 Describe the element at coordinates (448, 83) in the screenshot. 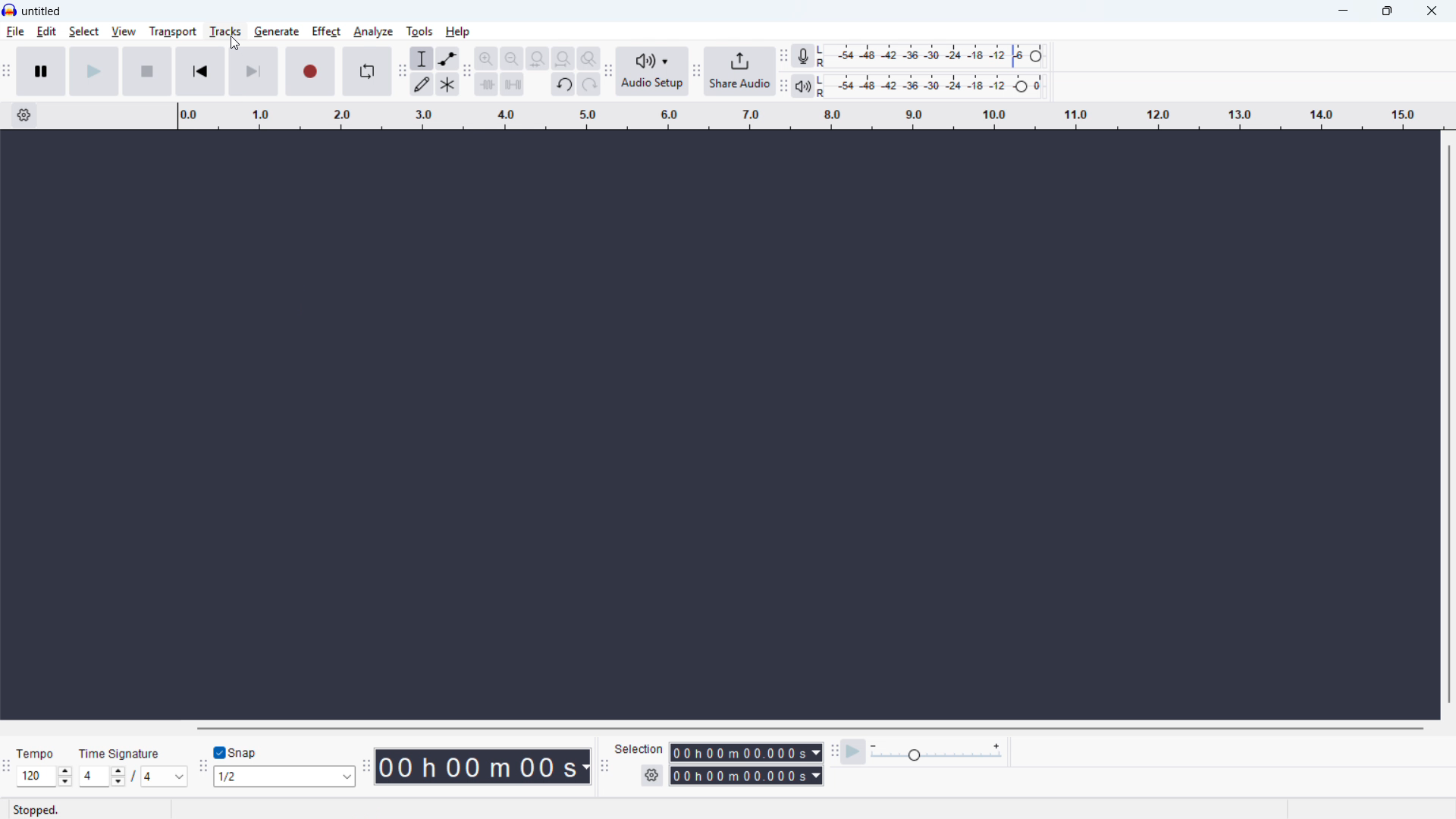

I see `Multi - tool ` at that location.